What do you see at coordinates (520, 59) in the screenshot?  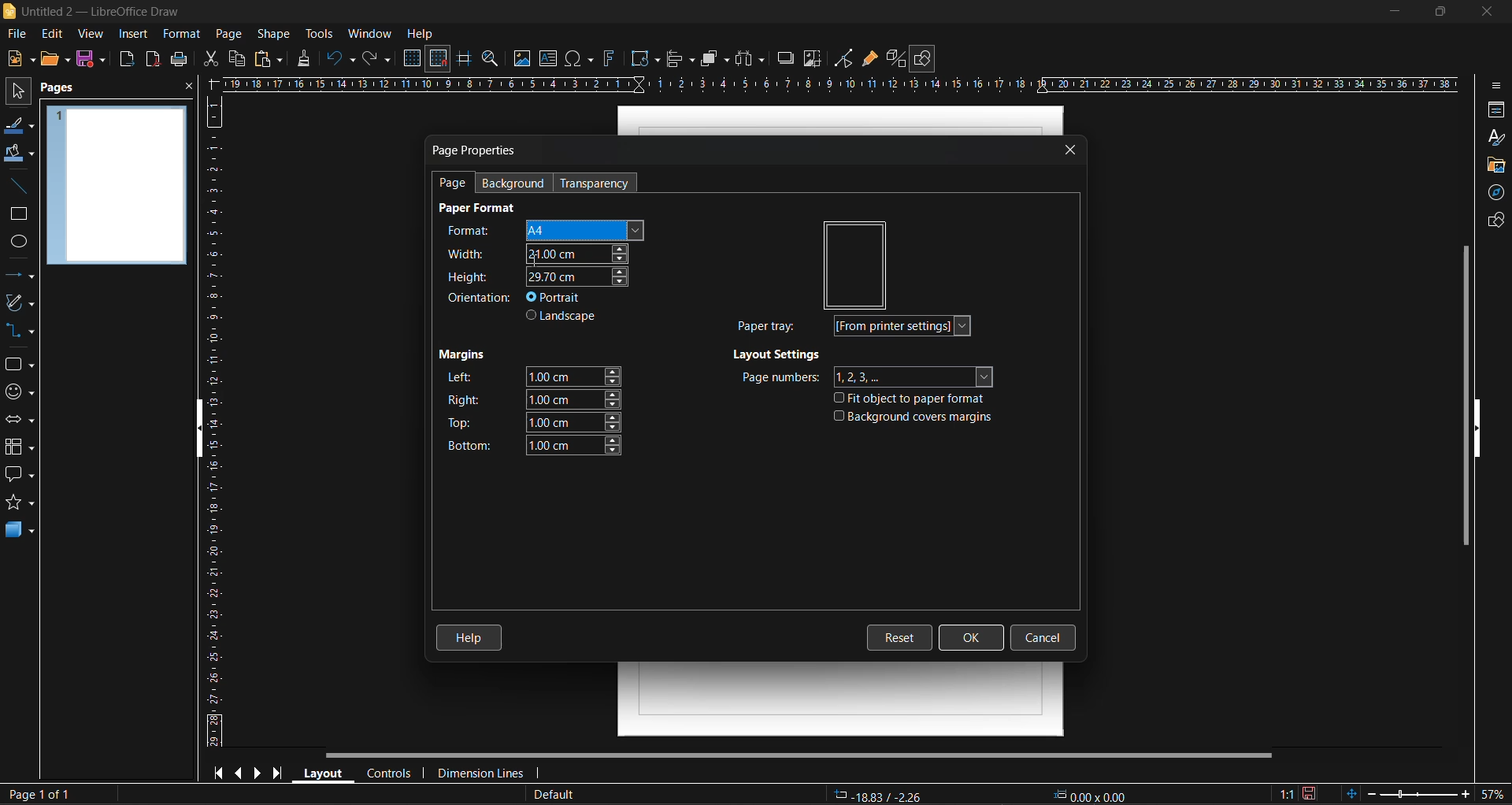 I see `image` at bounding box center [520, 59].